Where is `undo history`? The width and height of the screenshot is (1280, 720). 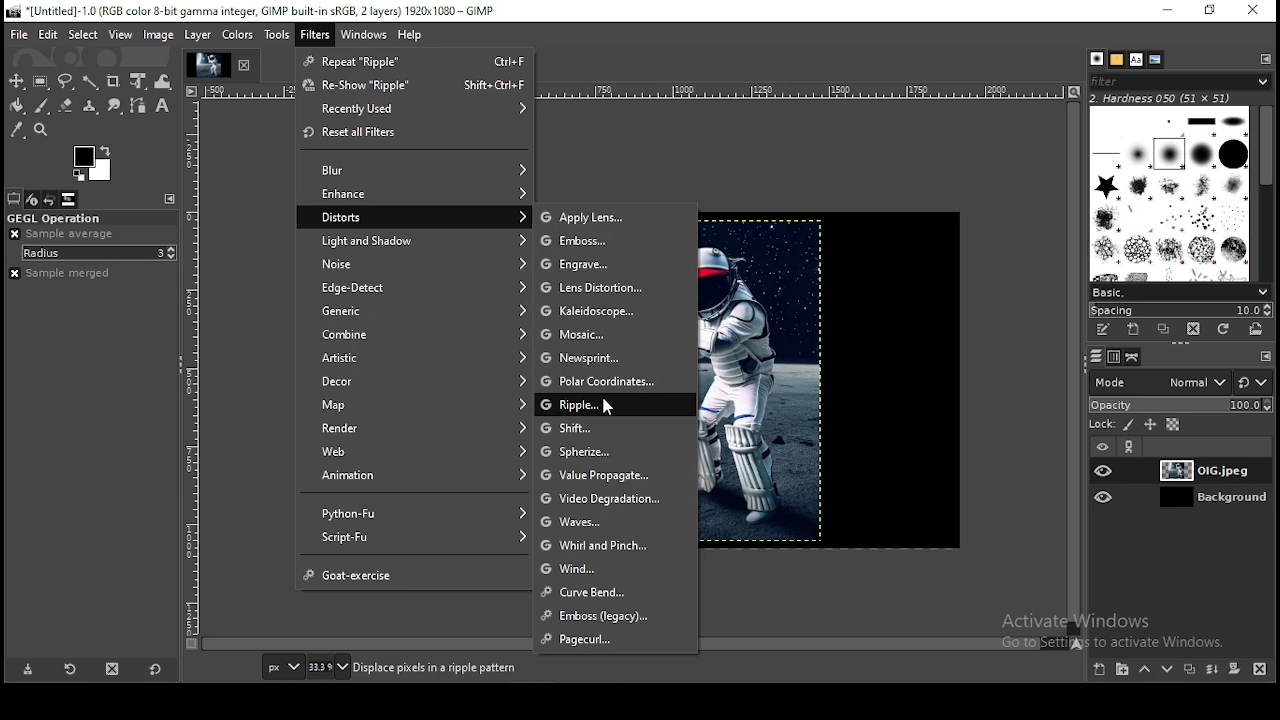 undo history is located at coordinates (51, 200).